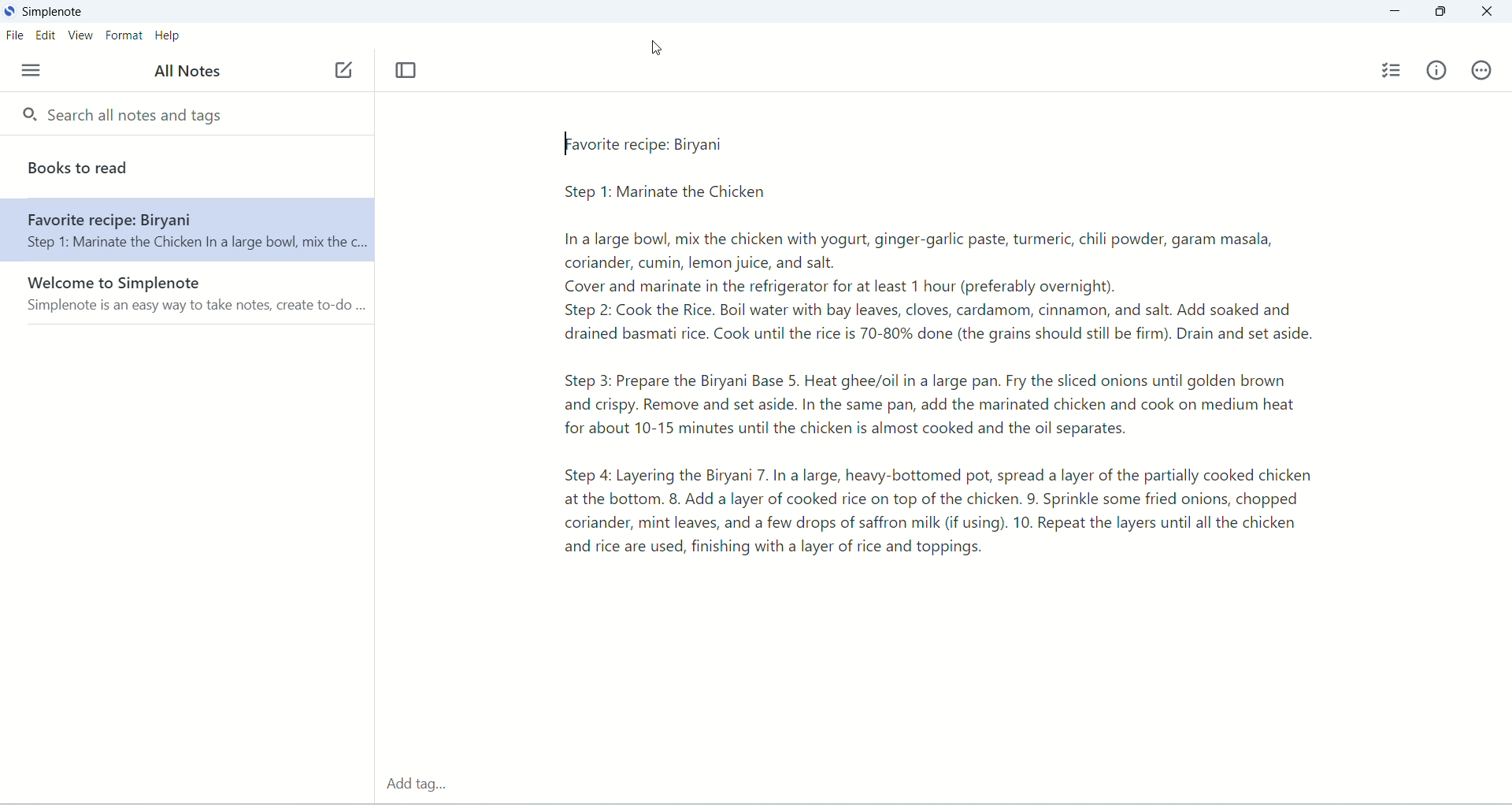 Image resolution: width=1512 pixels, height=805 pixels. Describe the element at coordinates (1490, 9) in the screenshot. I see `close` at that location.